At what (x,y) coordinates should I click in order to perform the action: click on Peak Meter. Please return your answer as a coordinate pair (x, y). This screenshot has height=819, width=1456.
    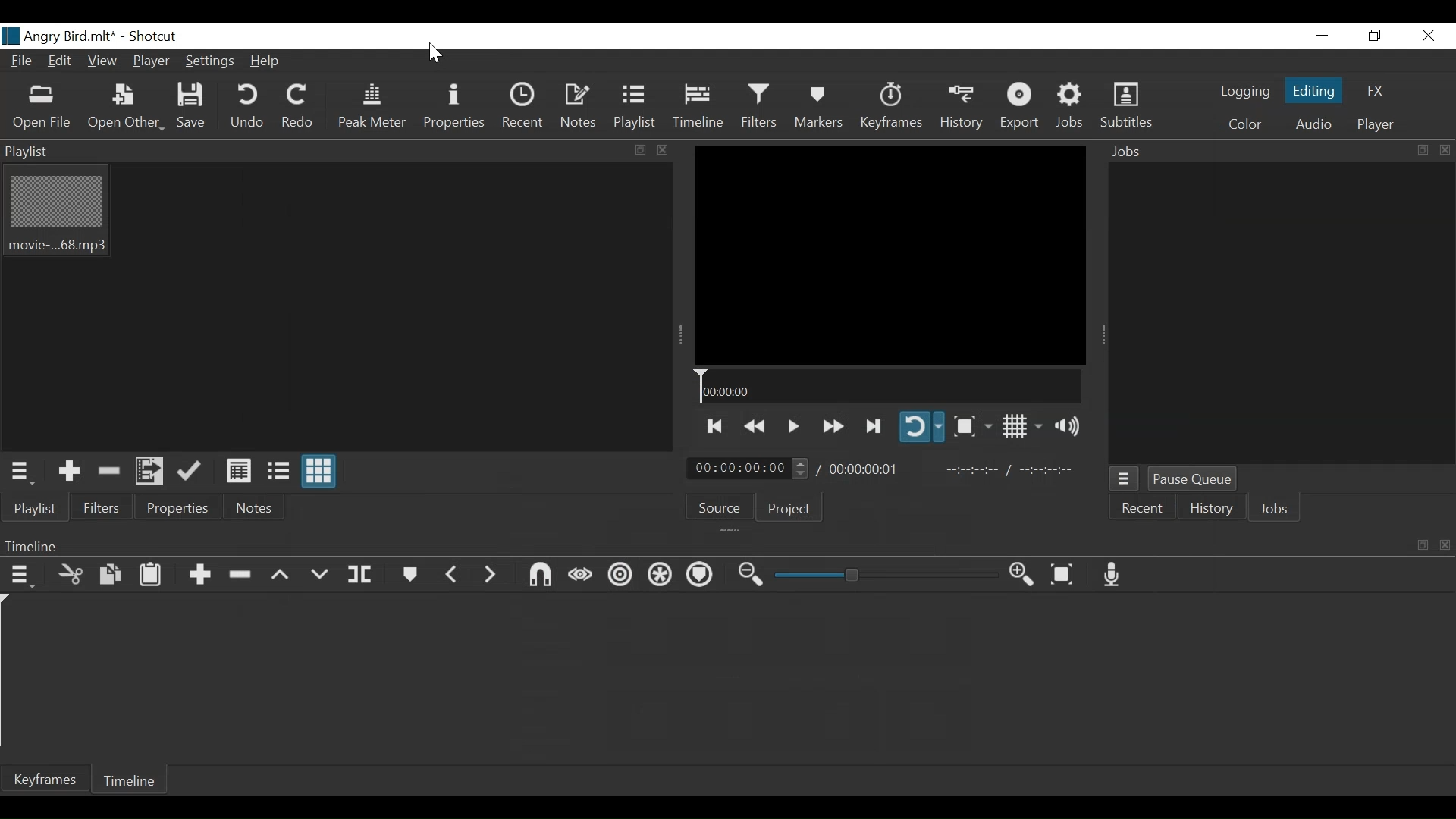
    Looking at the image, I should click on (372, 106).